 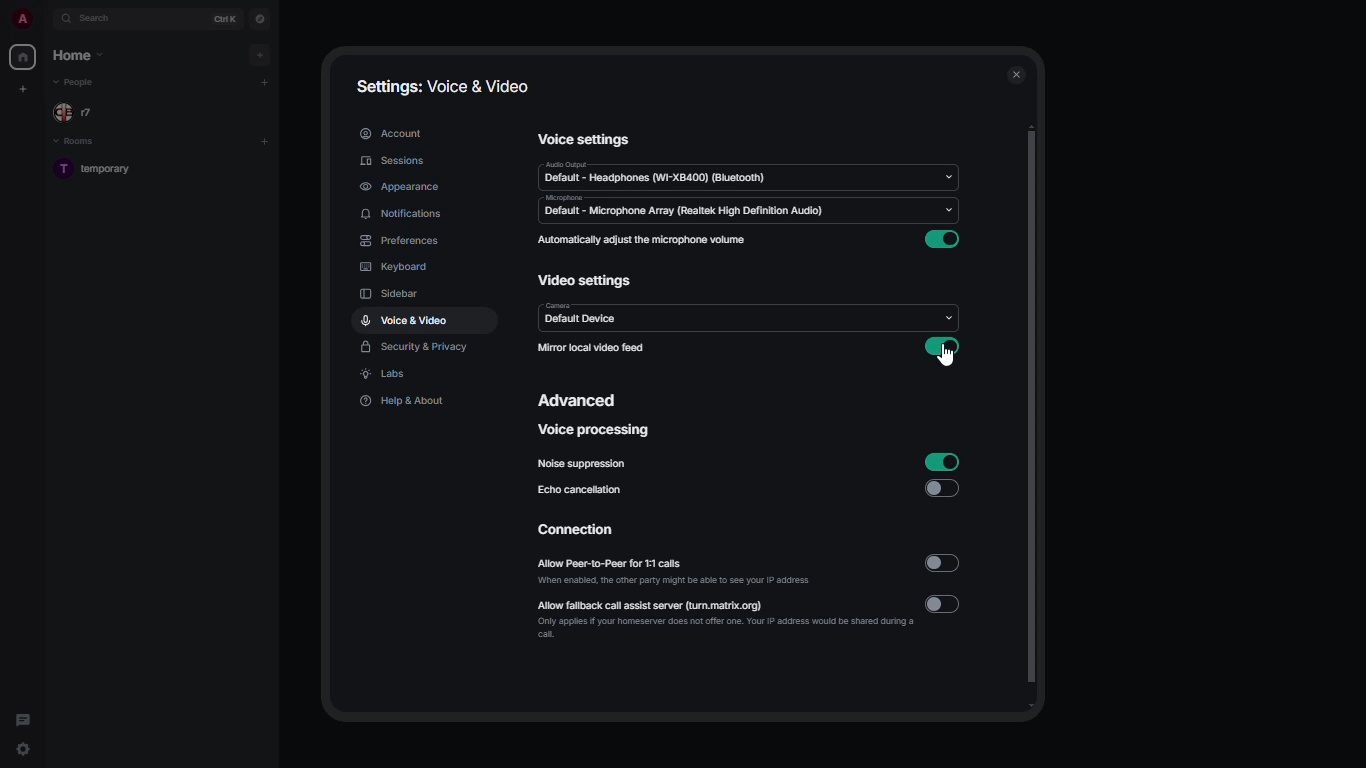 What do you see at coordinates (582, 465) in the screenshot?
I see `noise suppression` at bounding box center [582, 465].